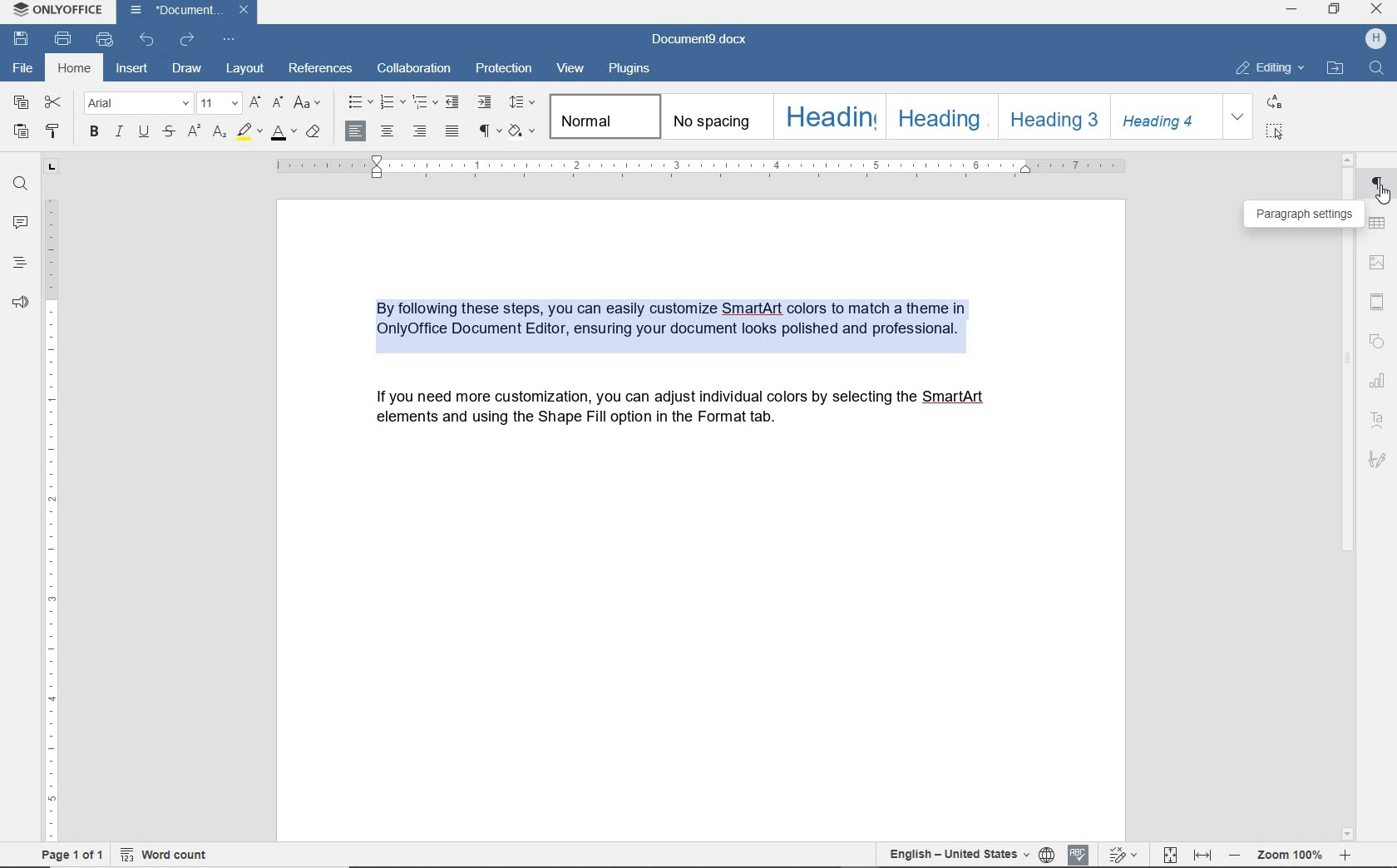 The width and height of the screenshot is (1397, 868). What do you see at coordinates (22, 131) in the screenshot?
I see `paste` at bounding box center [22, 131].